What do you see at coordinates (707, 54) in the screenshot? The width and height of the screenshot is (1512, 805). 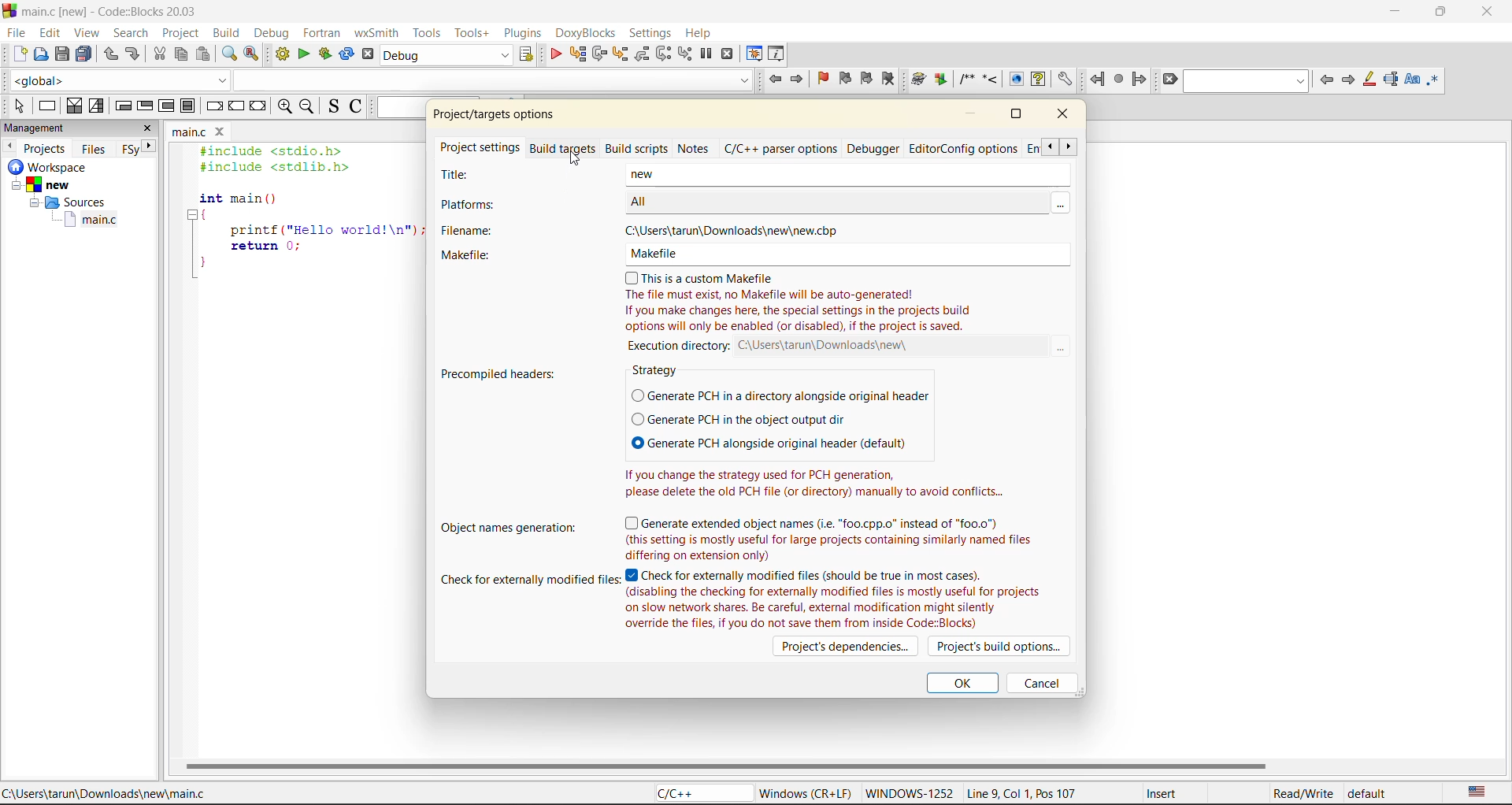 I see `break debugger` at bounding box center [707, 54].